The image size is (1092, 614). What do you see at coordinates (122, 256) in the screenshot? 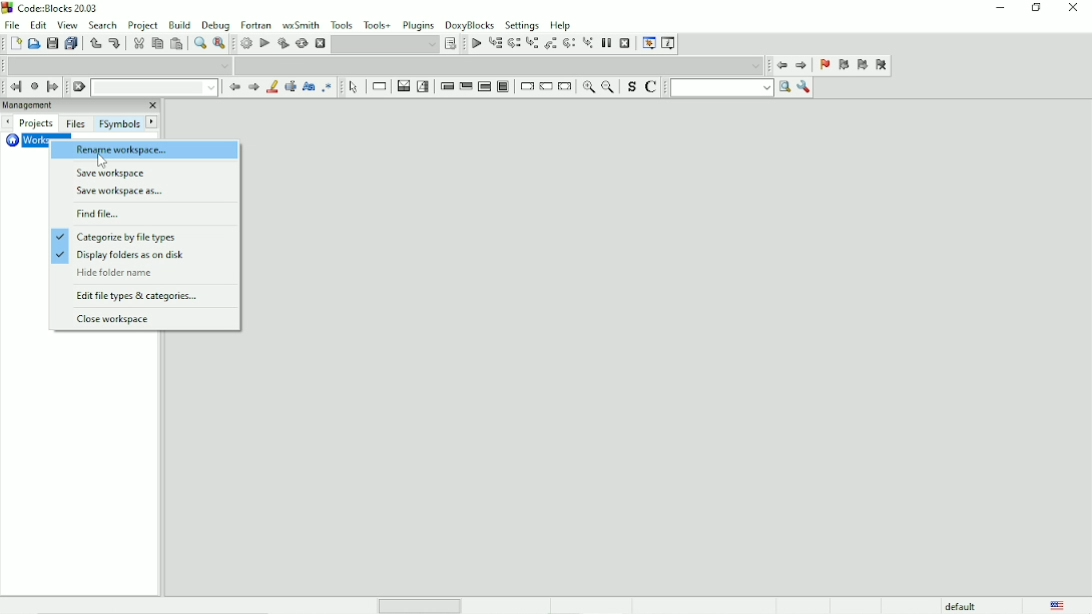
I see `Display folders as on disk` at bounding box center [122, 256].